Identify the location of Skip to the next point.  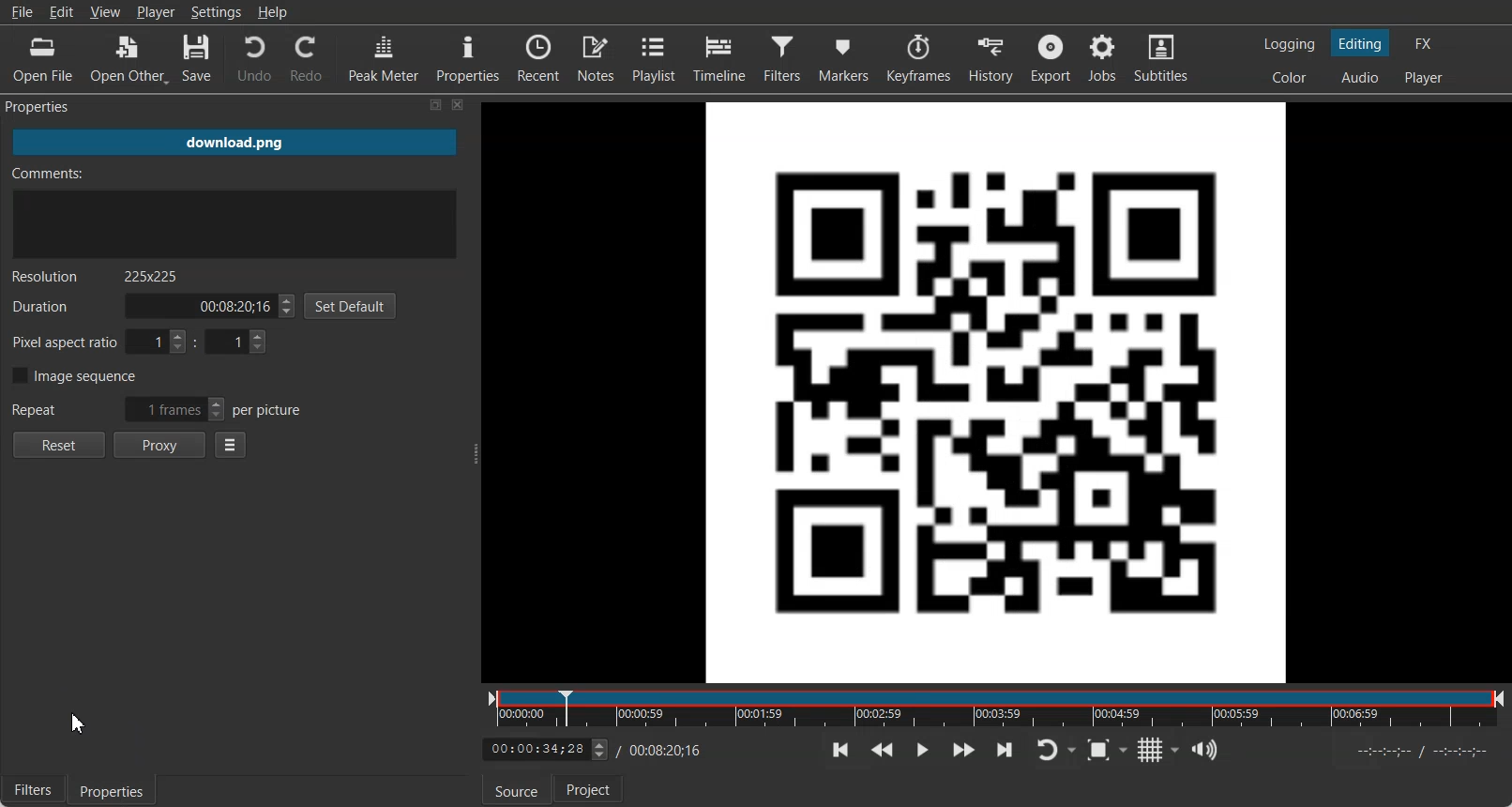
(1004, 749).